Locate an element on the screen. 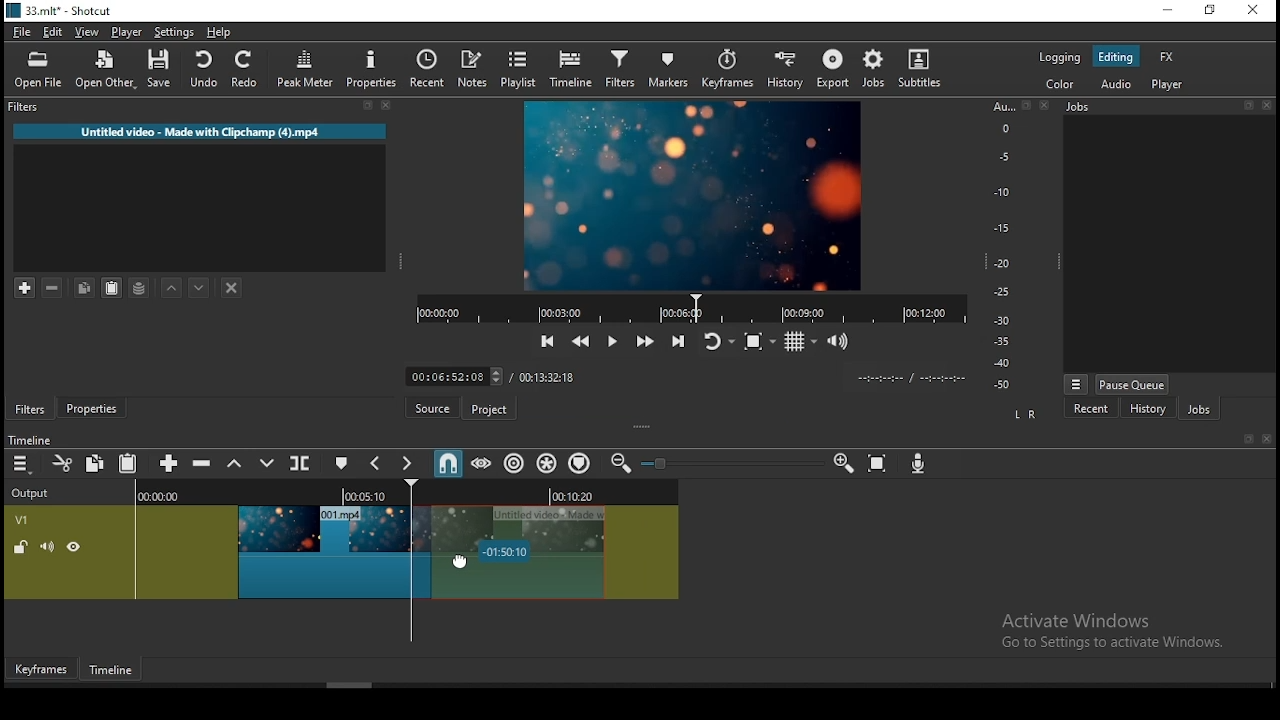 This screenshot has width=1280, height=720. editing is located at coordinates (1117, 60).